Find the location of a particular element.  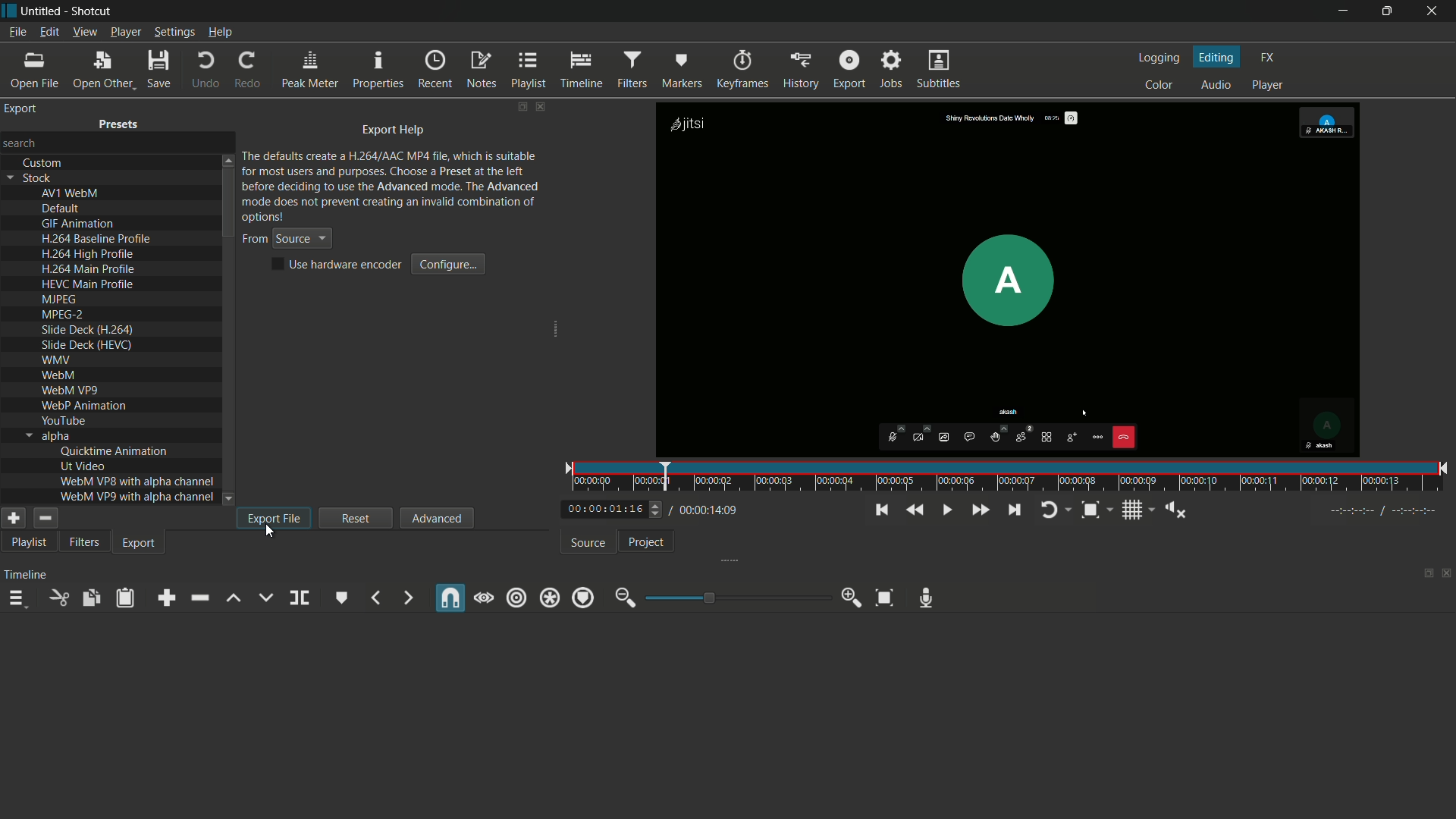

skip to the next point is located at coordinates (1016, 510).